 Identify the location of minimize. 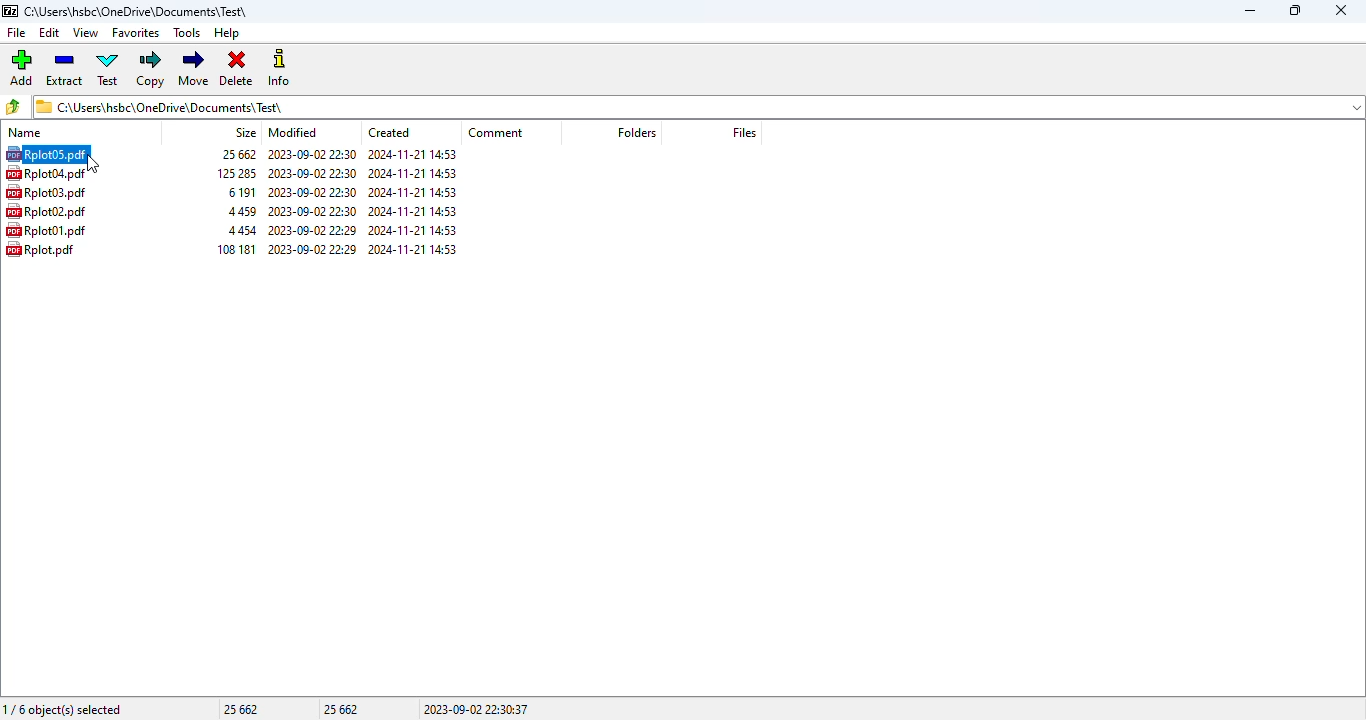
(1249, 11).